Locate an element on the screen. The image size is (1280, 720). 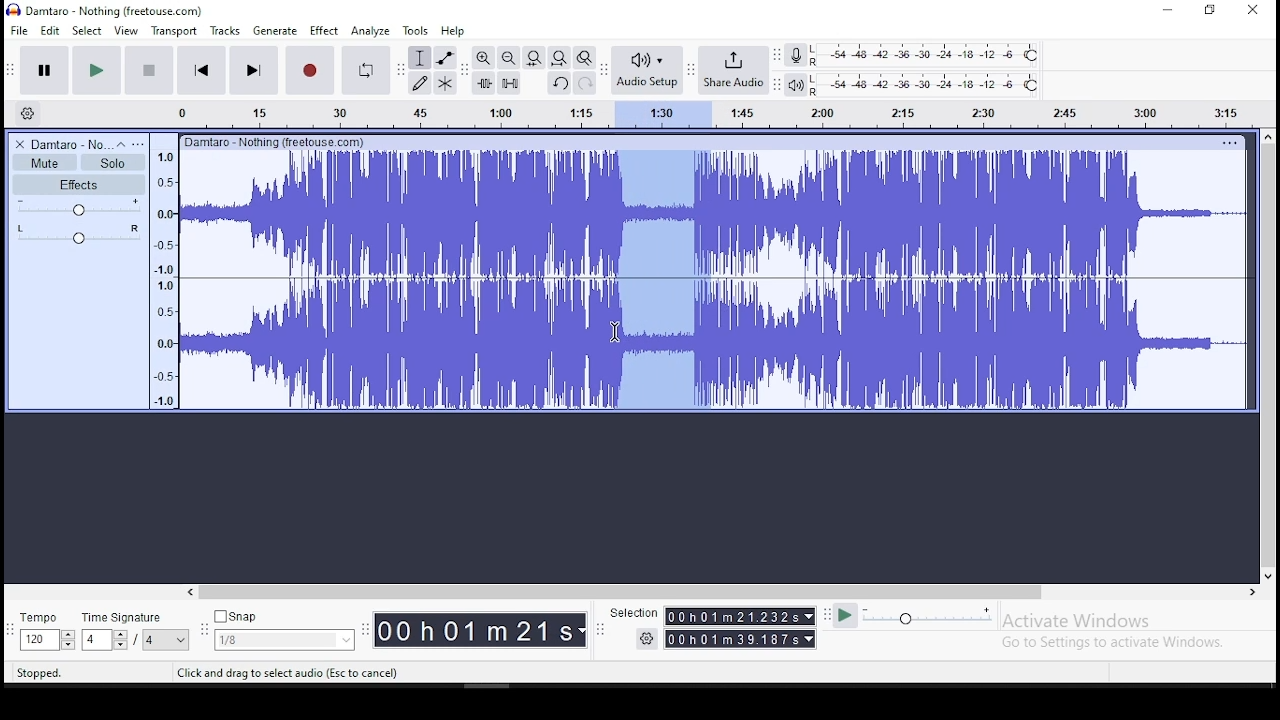
down is located at coordinates (1267, 573).